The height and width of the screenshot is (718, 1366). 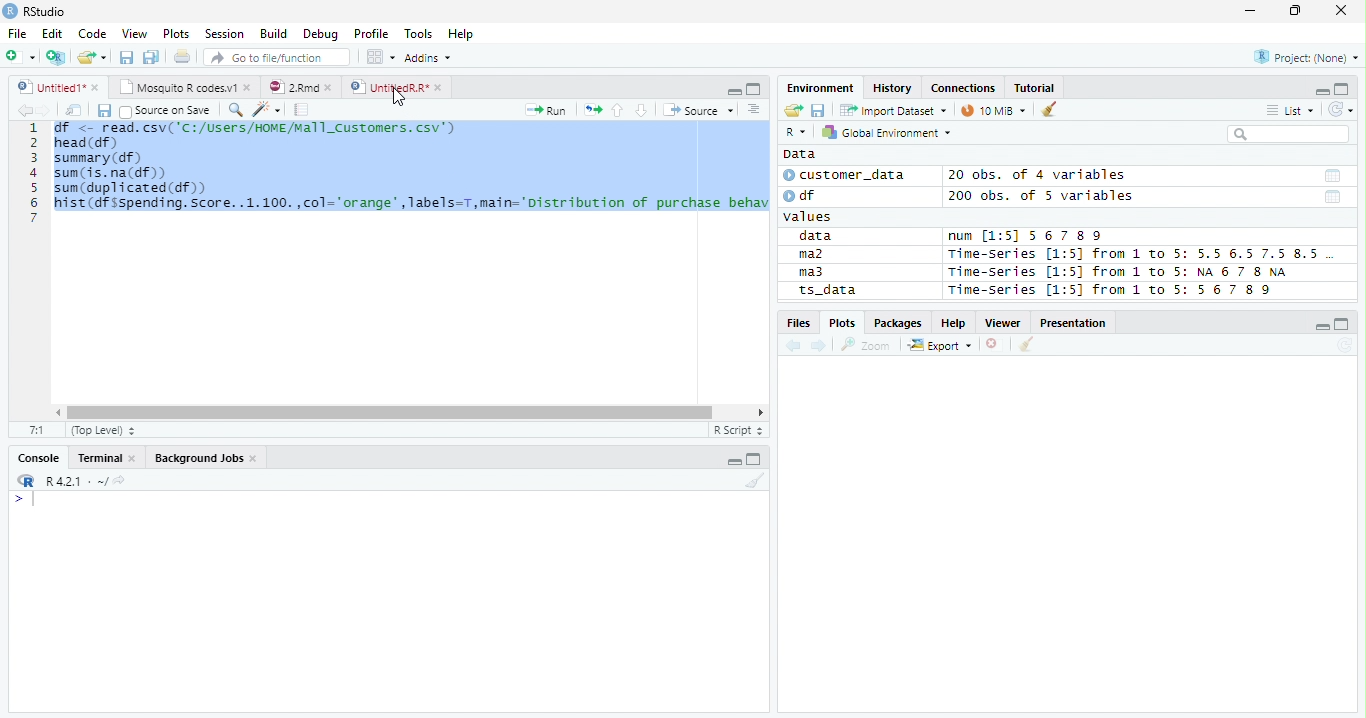 I want to click on Refresh, so click(x=1341, y=107).